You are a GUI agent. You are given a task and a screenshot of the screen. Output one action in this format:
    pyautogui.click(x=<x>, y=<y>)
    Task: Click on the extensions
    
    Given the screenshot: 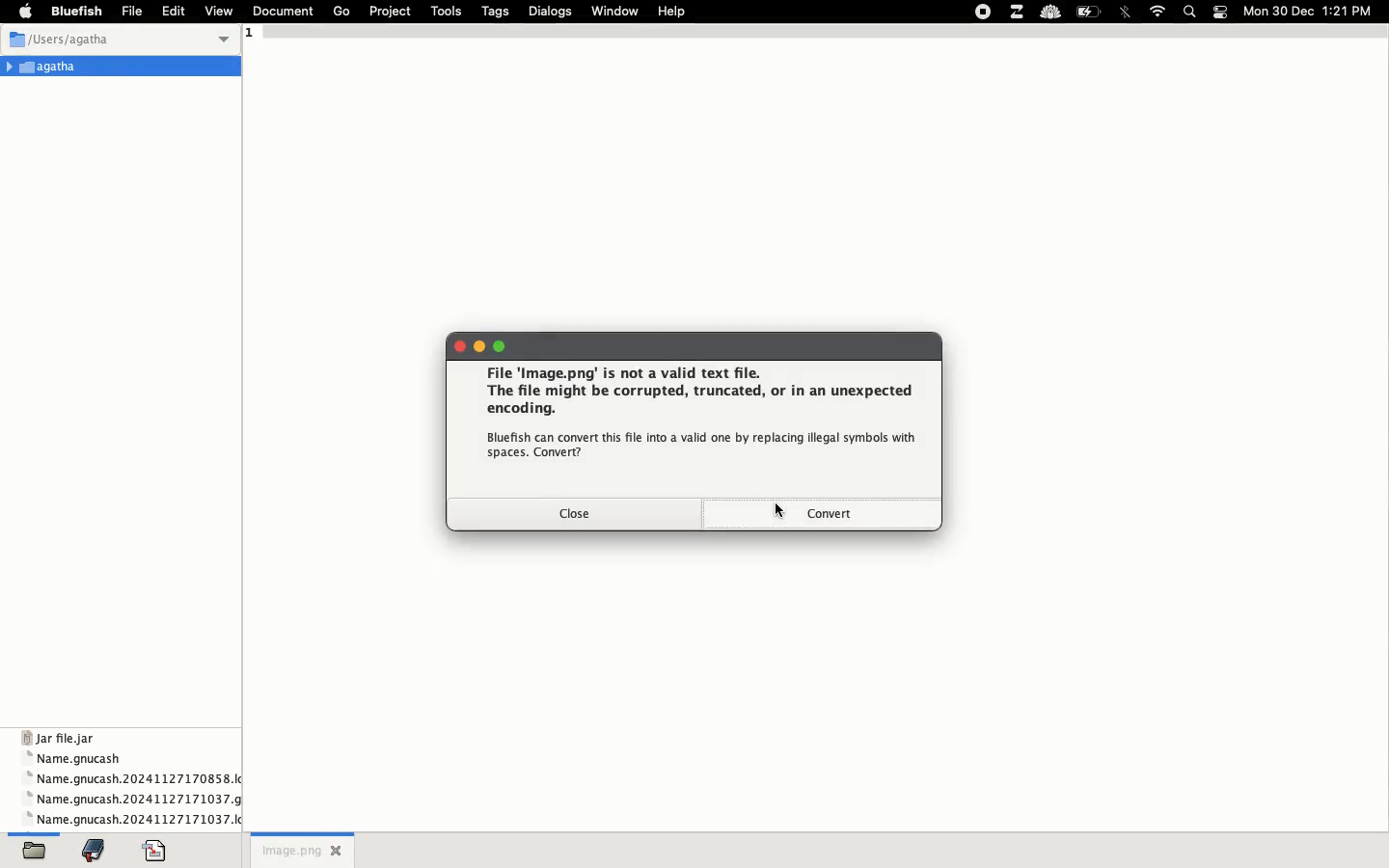 What is the action you would take?
    pyautogui.click(x=1019, y=12)
    